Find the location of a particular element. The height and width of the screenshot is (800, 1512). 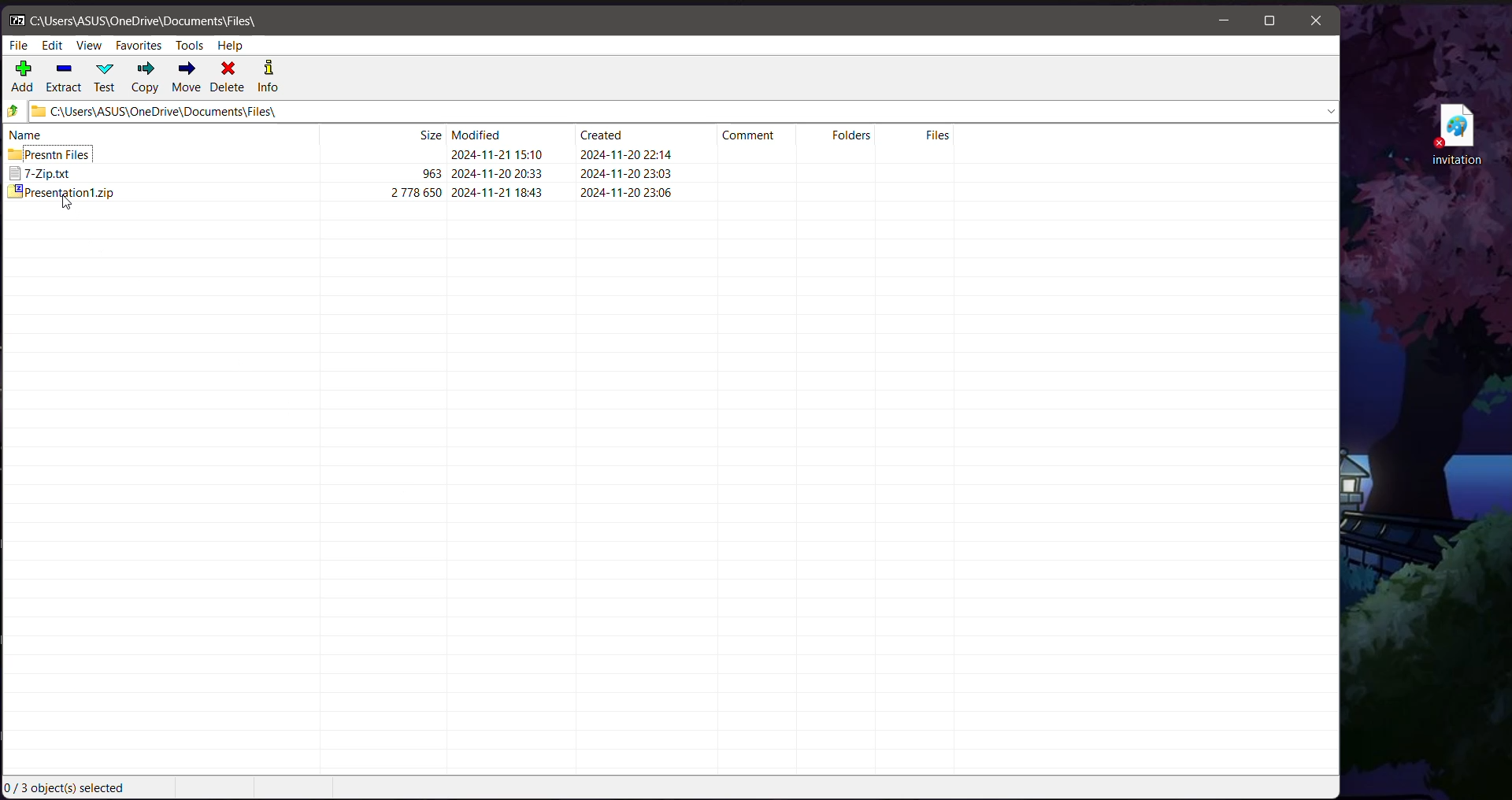

Close is located at coordinates (1315, 22).